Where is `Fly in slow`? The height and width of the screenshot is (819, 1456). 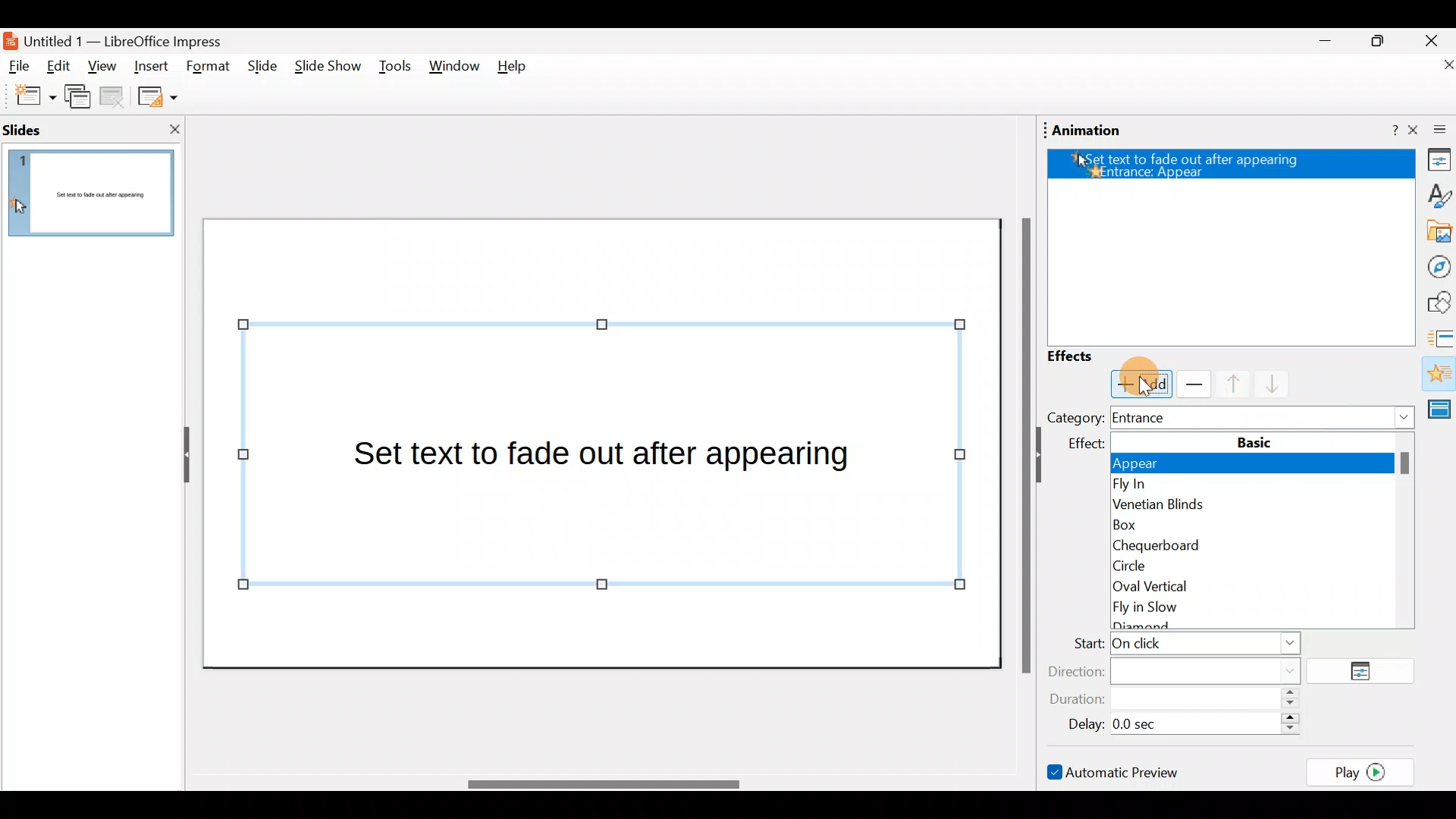
Fly in slow is located at coordinates (1262, 613).